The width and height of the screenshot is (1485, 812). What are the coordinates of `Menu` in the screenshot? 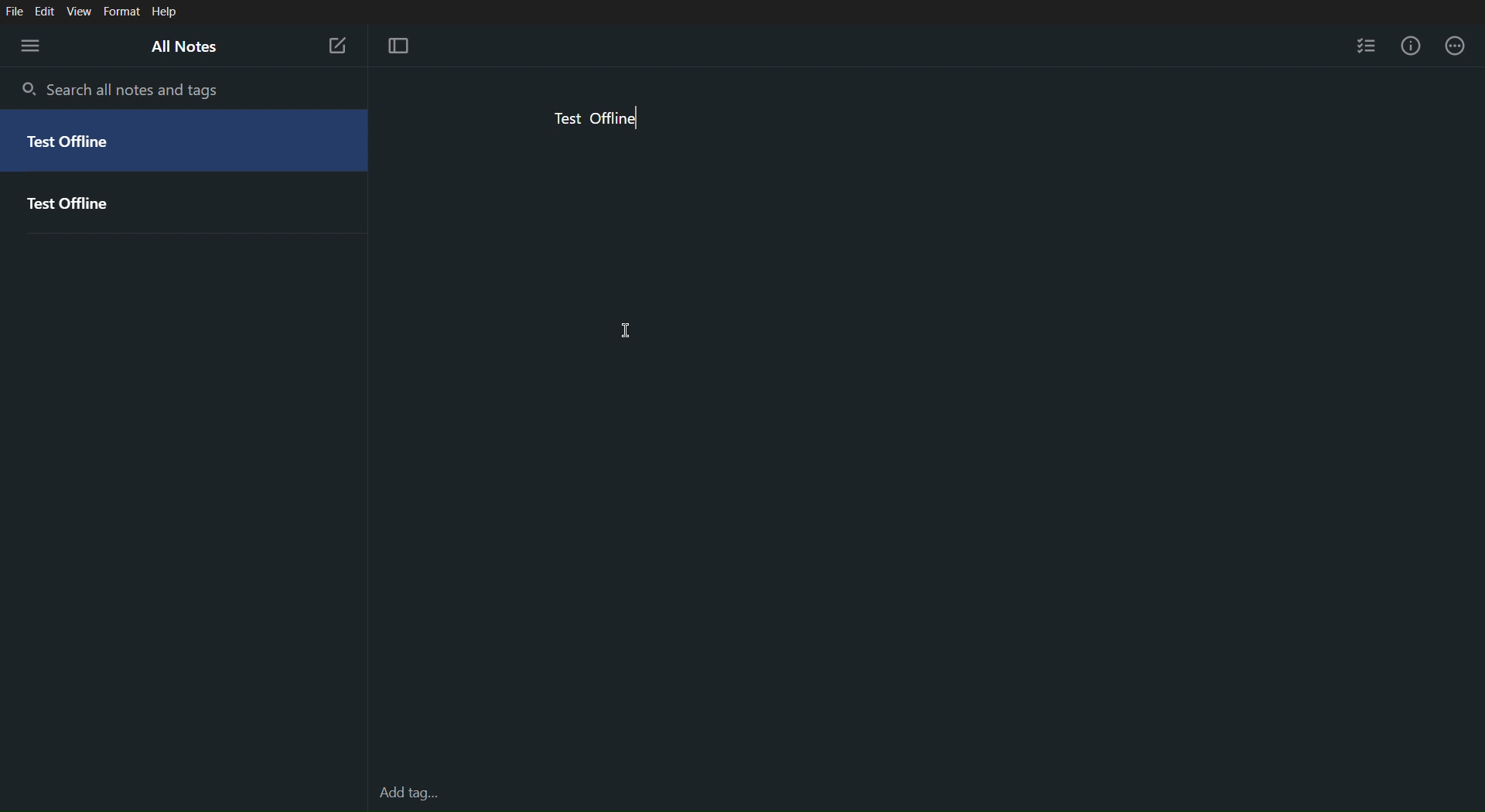 It's located at (28, 44).